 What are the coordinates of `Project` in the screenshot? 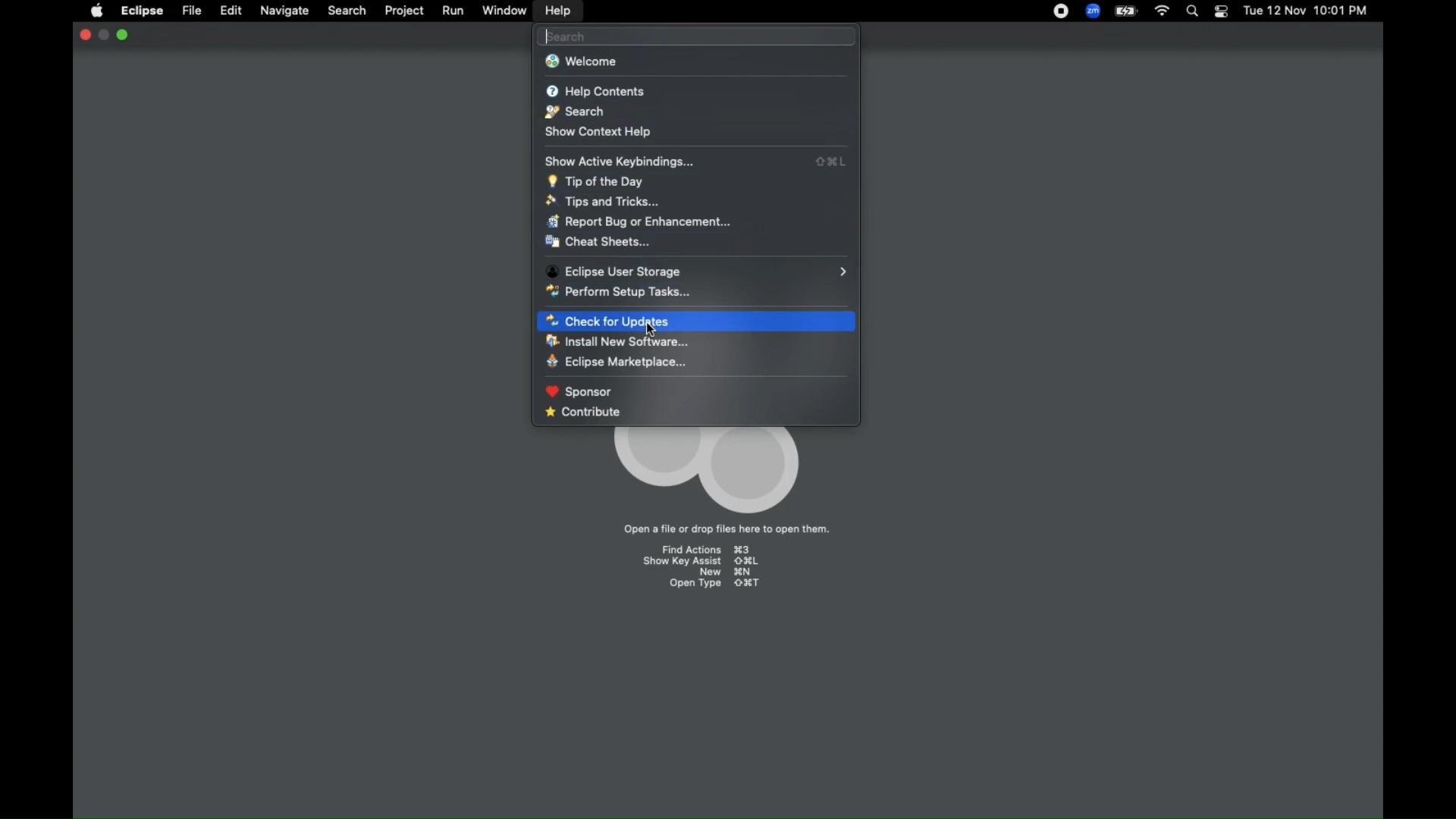 It's located at (403, 12).